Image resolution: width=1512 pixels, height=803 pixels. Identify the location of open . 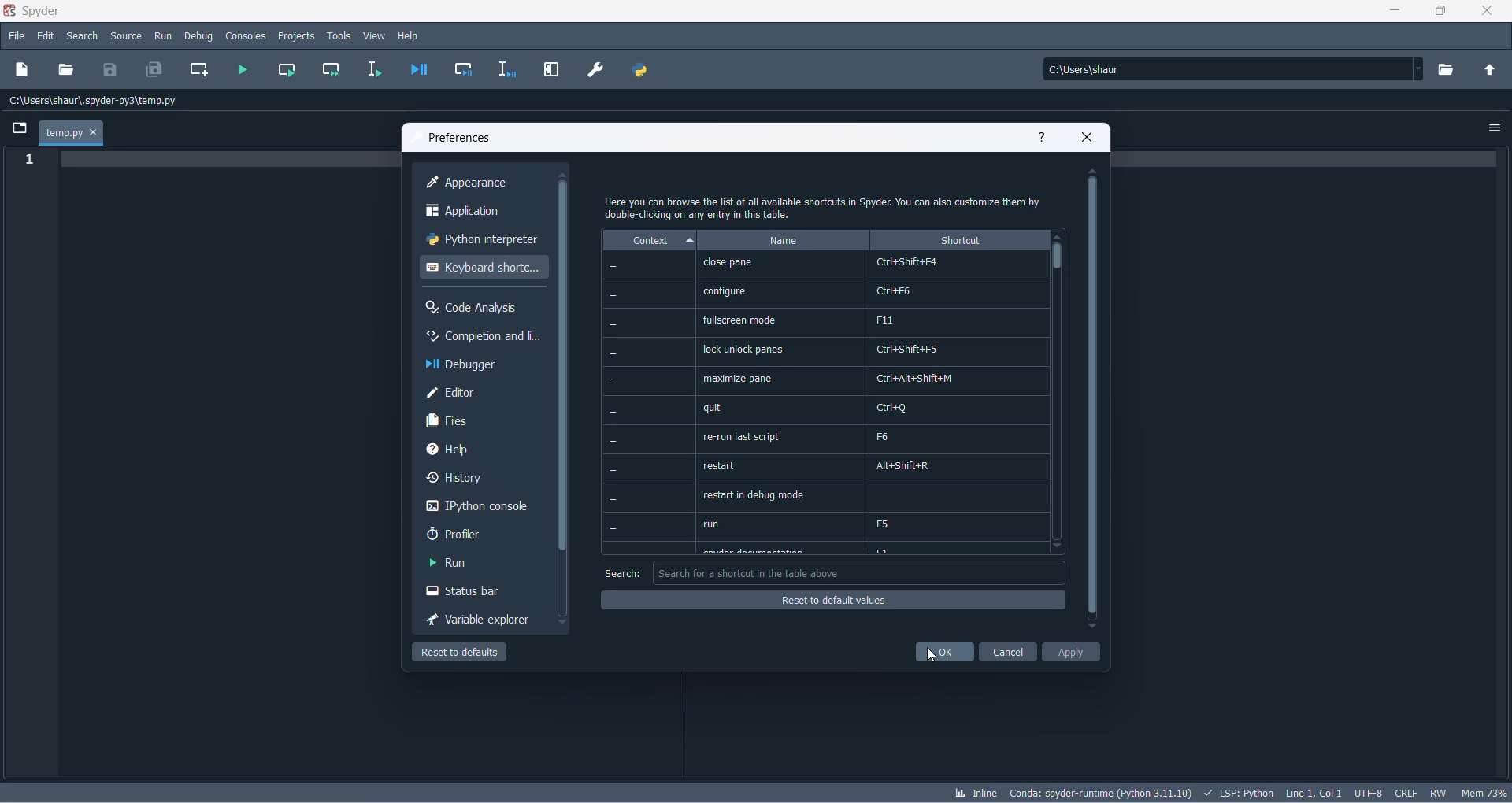
(67, 71).